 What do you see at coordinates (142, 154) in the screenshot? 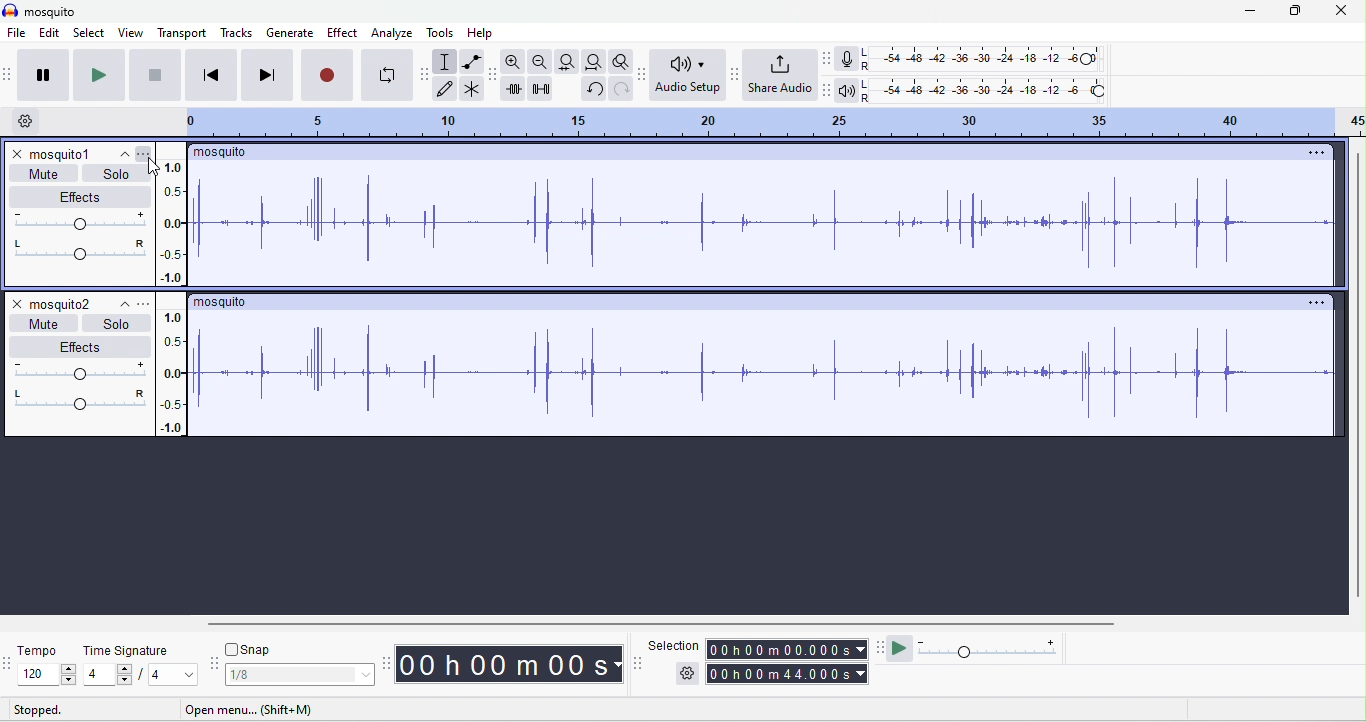
I see `options` at bounding box center [142, 154].